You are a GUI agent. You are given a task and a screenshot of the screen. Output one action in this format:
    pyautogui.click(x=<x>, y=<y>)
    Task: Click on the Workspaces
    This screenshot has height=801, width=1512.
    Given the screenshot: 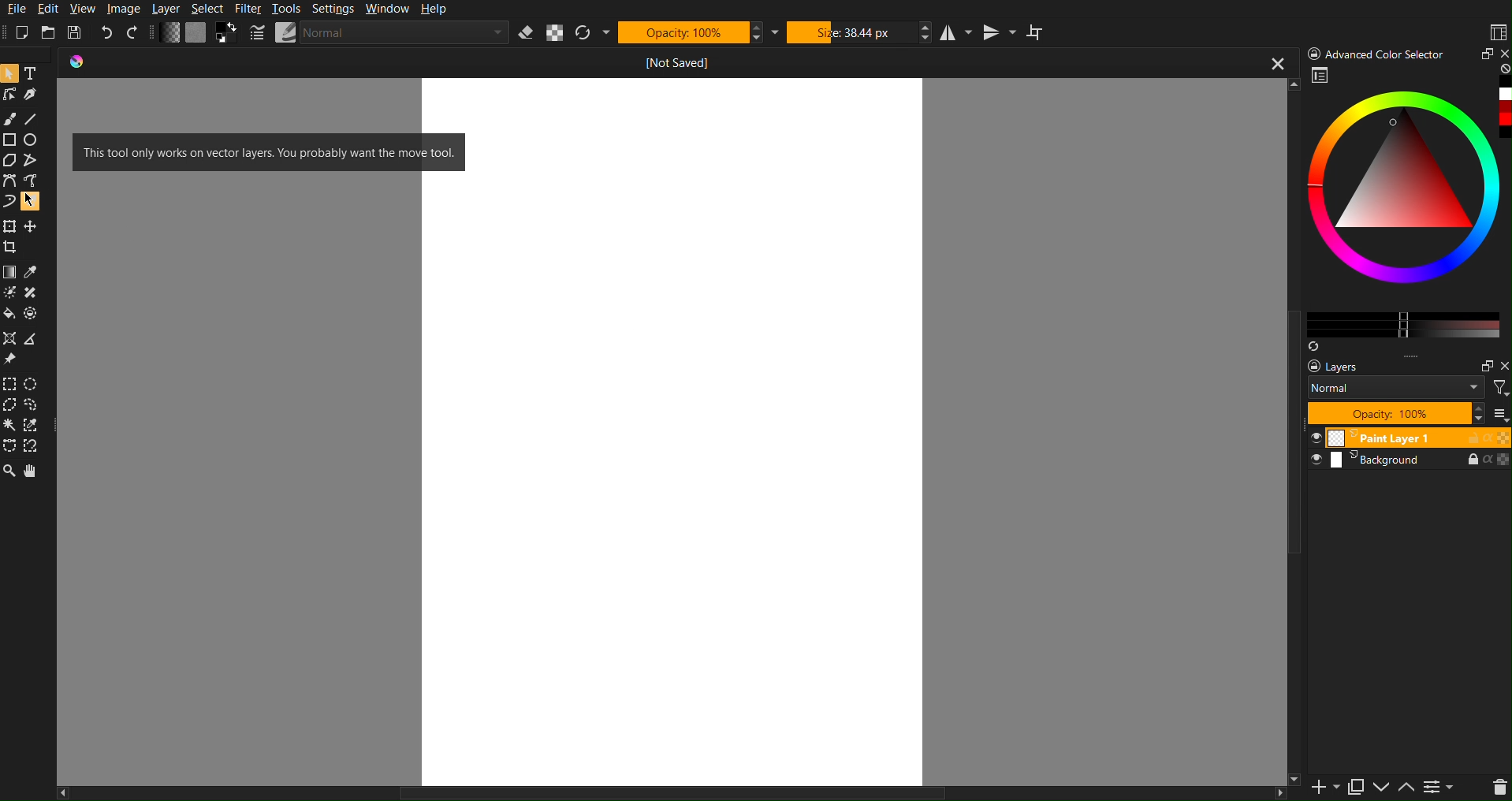 What is the action you would take?
    pyautogui.click(x=1497, y=31)
    